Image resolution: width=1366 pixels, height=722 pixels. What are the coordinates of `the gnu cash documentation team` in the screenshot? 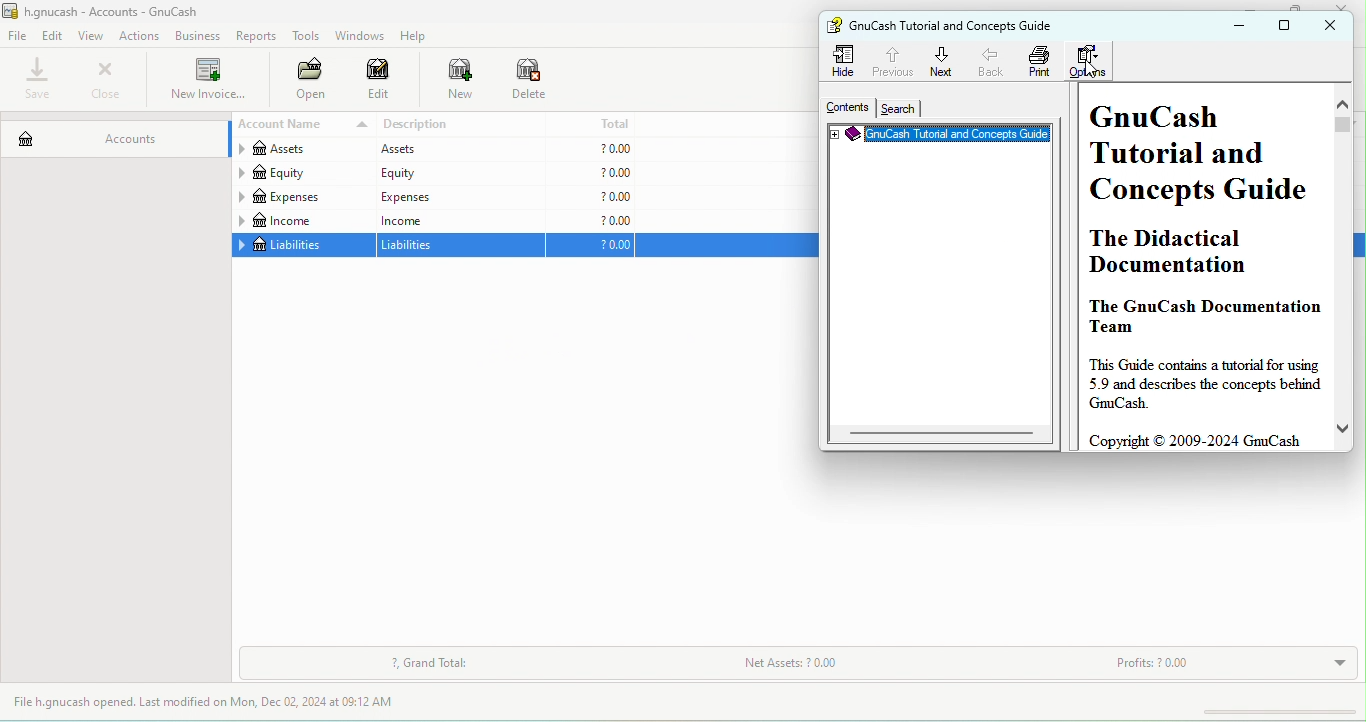 It's located at (1205, 312).